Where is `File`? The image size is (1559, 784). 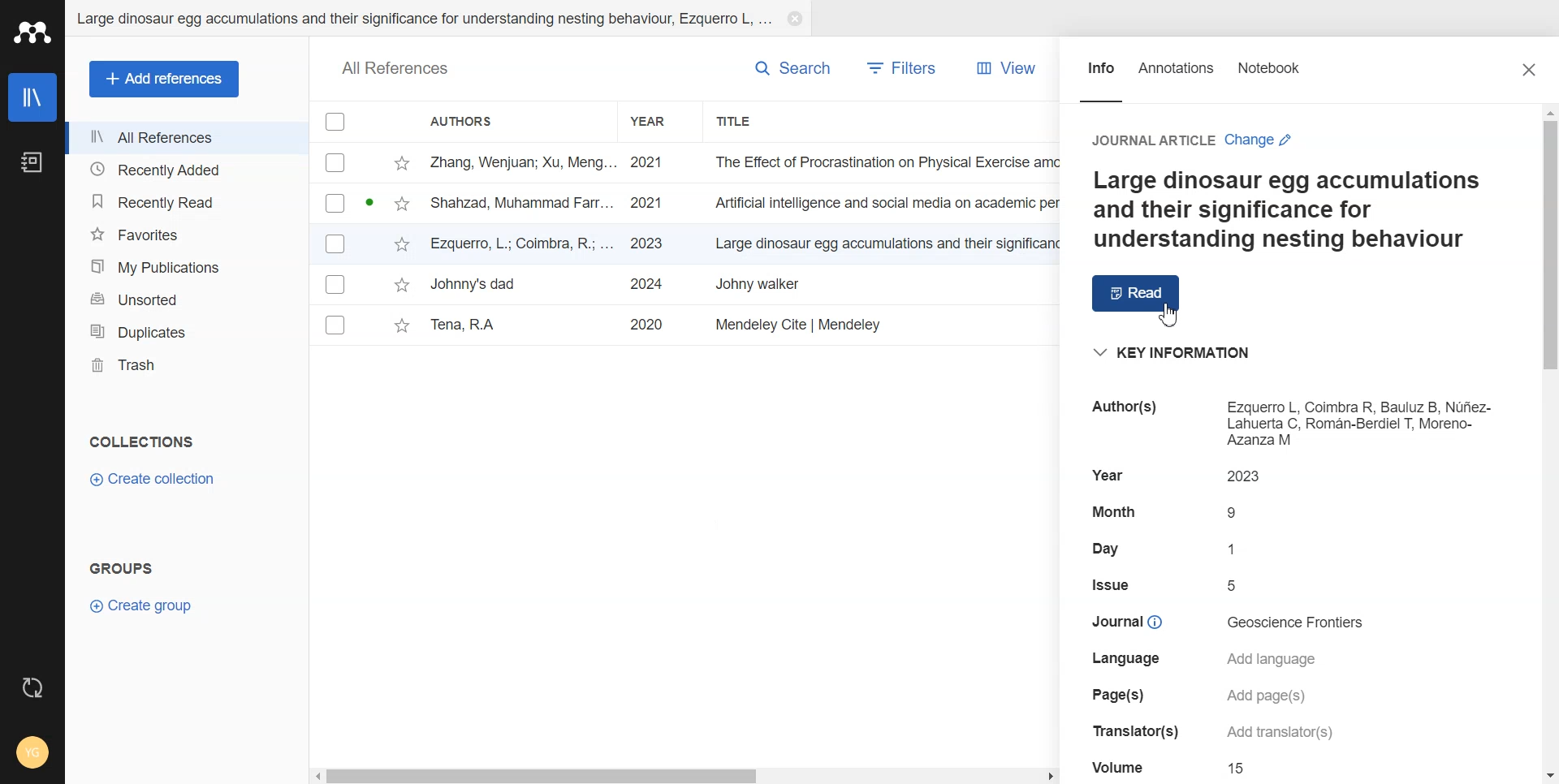
File is located at coordinates (741, 324).